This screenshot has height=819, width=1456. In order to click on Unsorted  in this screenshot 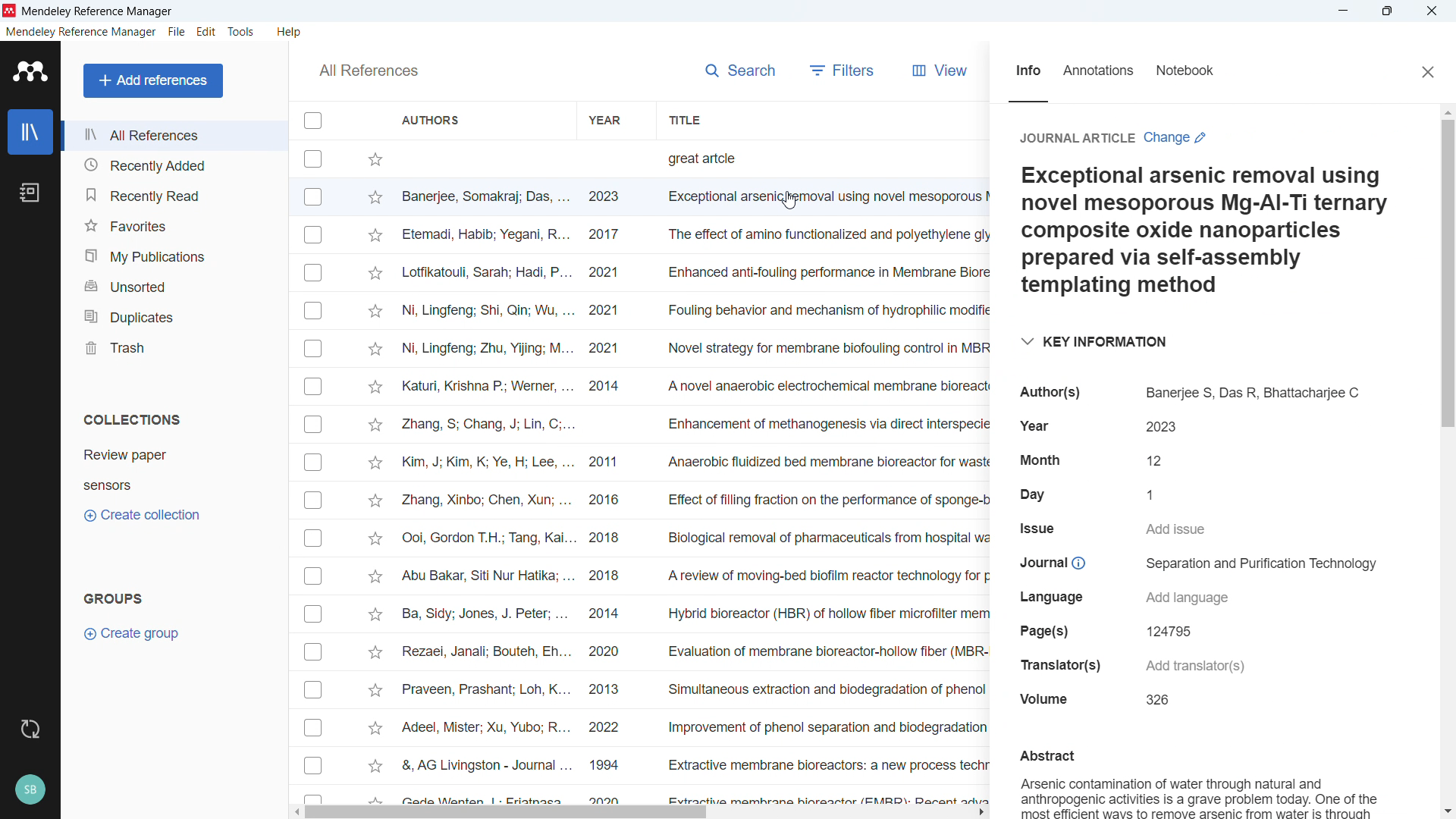, I will do `click(174, 285)`.